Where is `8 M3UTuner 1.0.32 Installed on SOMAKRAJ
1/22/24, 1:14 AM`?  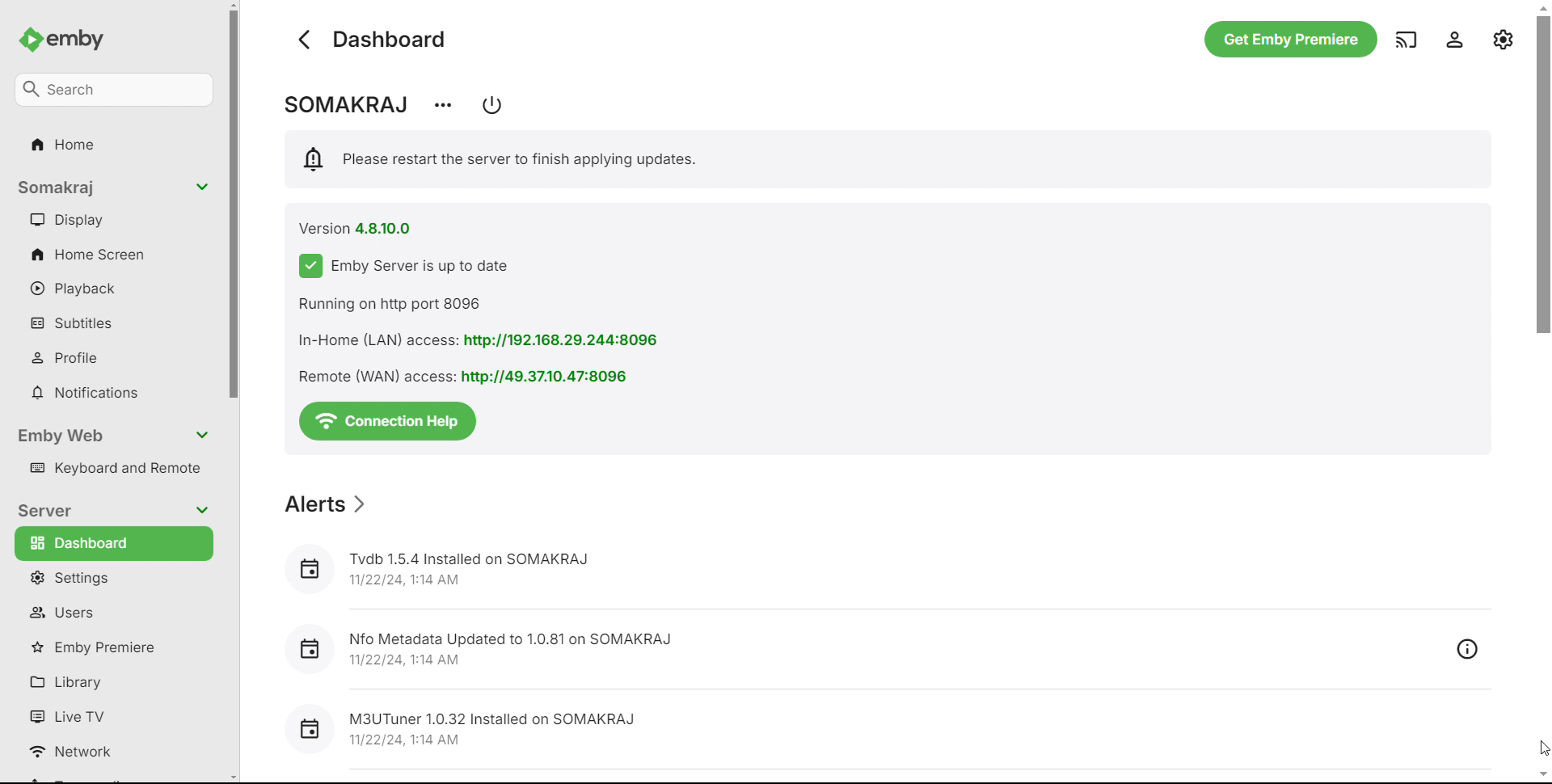
8 M3UTuner 1.0.32 Installed on SOMAKRAJ
1/22/24, 1:14 AM is located at coordinates (468, 726).